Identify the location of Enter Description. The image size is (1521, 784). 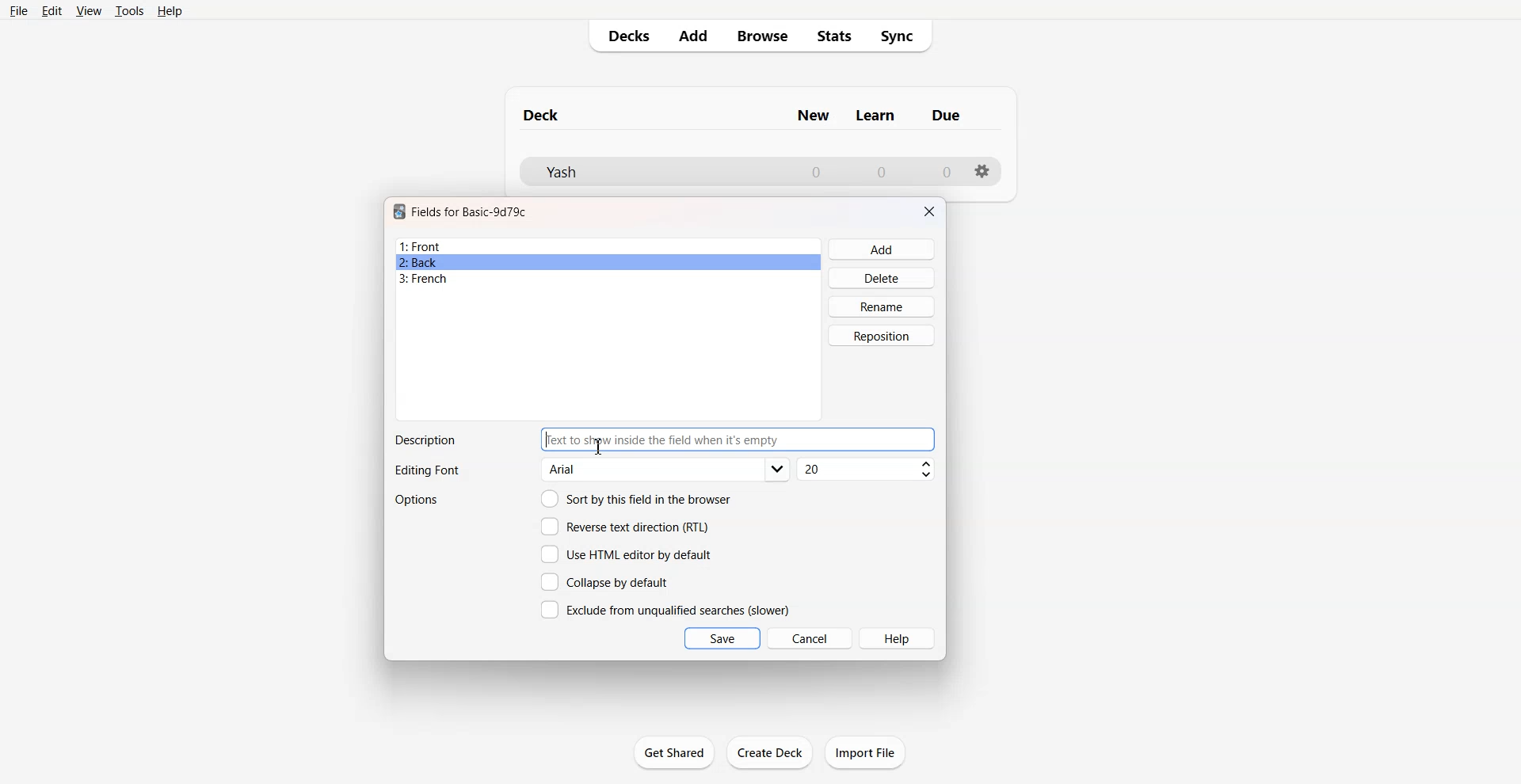
(739, 440).